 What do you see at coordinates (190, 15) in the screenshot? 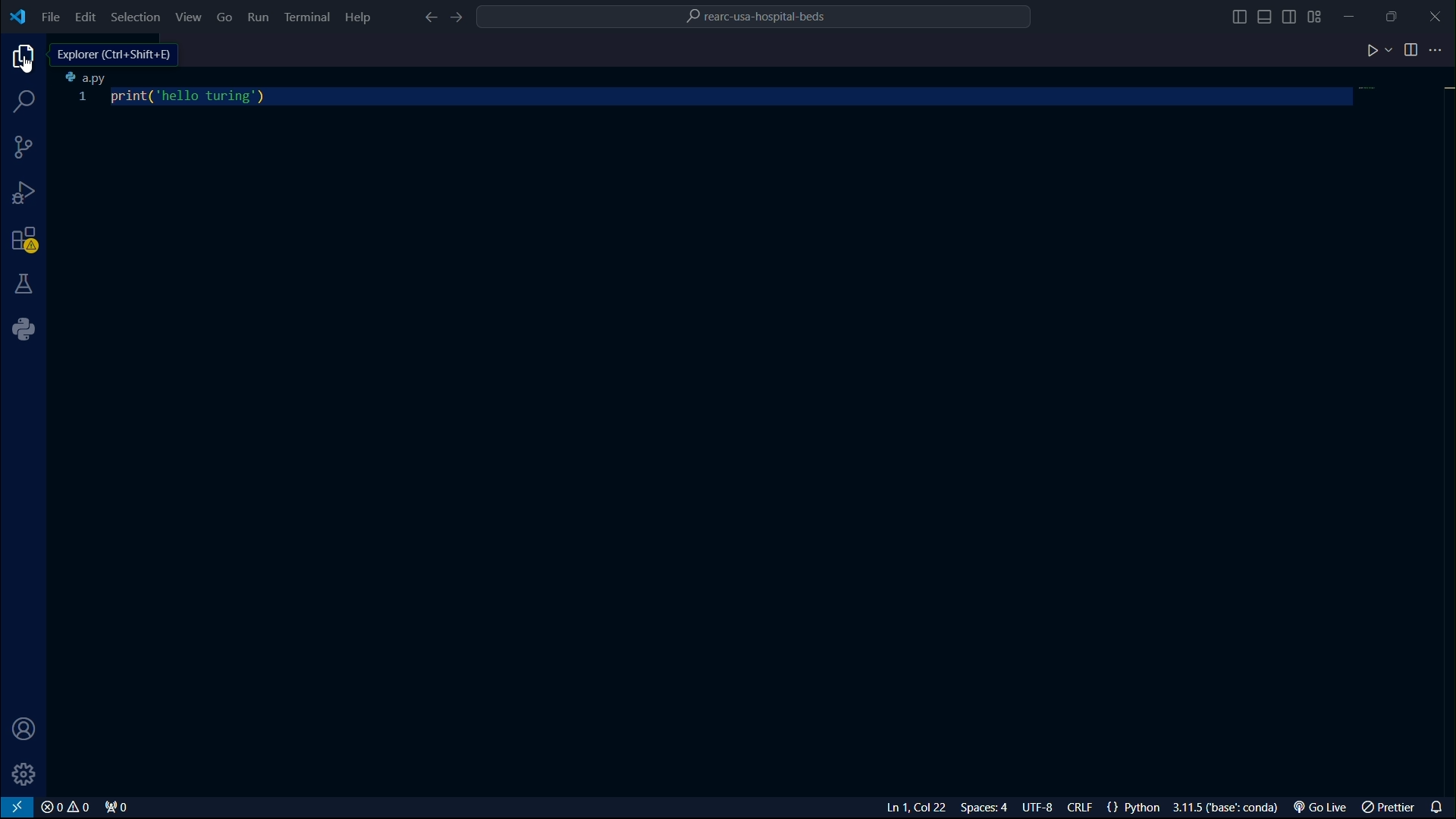
I see `view menu` at bounding box center [190, 15].